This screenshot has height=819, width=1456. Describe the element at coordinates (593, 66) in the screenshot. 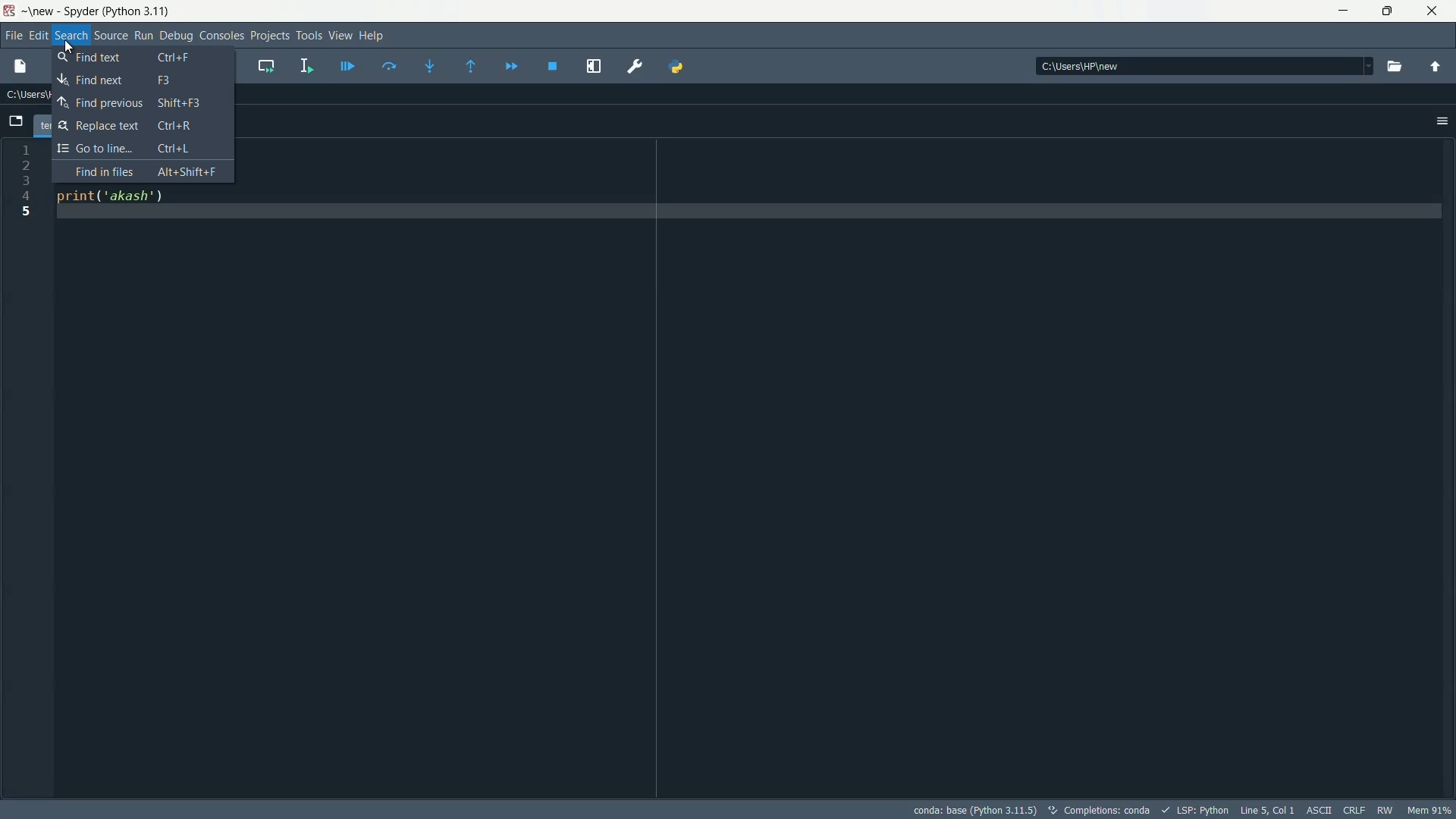

I see `maximize current pane` at that location.